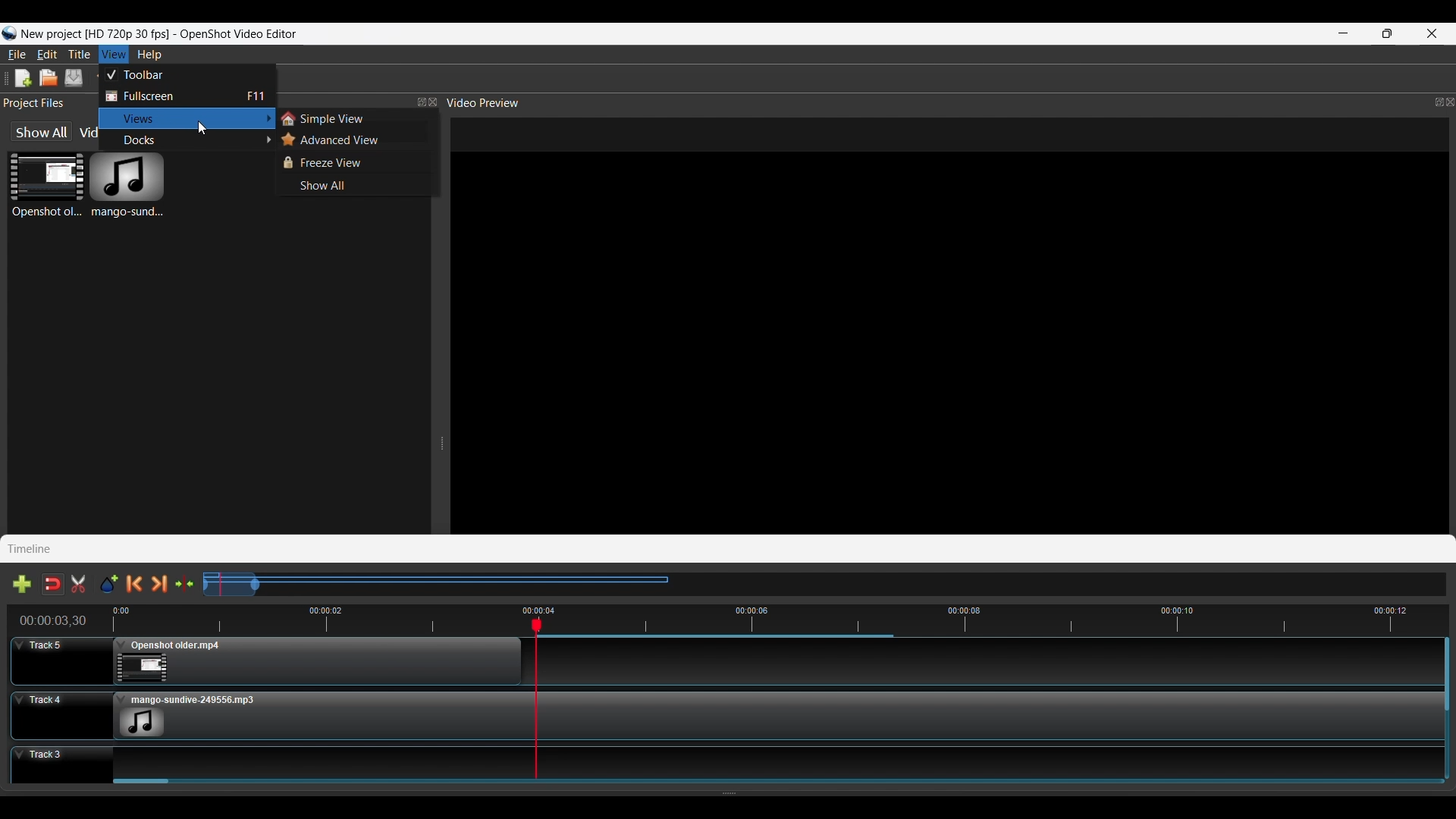  I want to click on Disable Snapping, so click(53, 583).